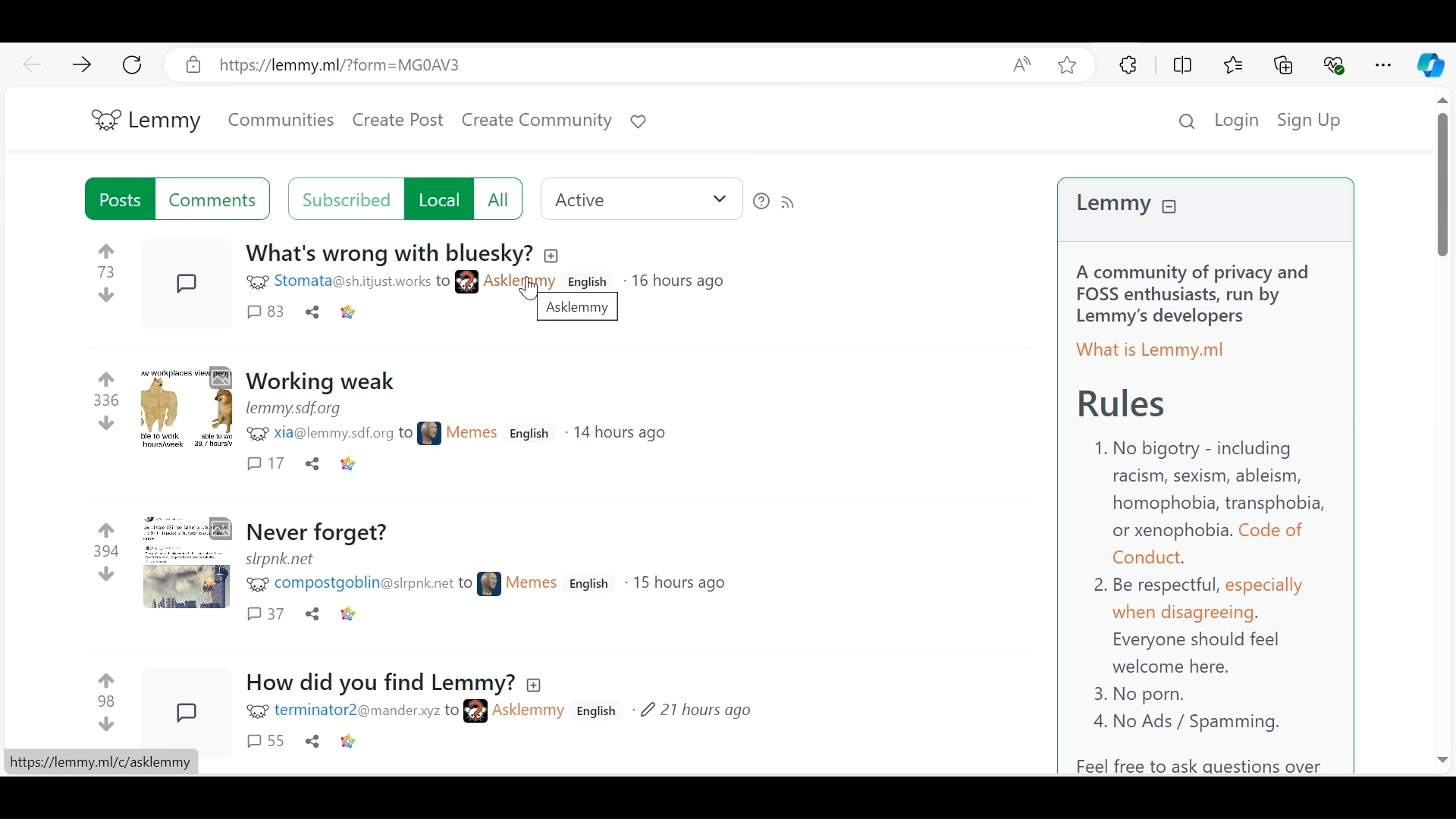 The image size is (1456, 819). Describe the element at coordinates (601, 711) in the screenshot. I see `language` at that location.